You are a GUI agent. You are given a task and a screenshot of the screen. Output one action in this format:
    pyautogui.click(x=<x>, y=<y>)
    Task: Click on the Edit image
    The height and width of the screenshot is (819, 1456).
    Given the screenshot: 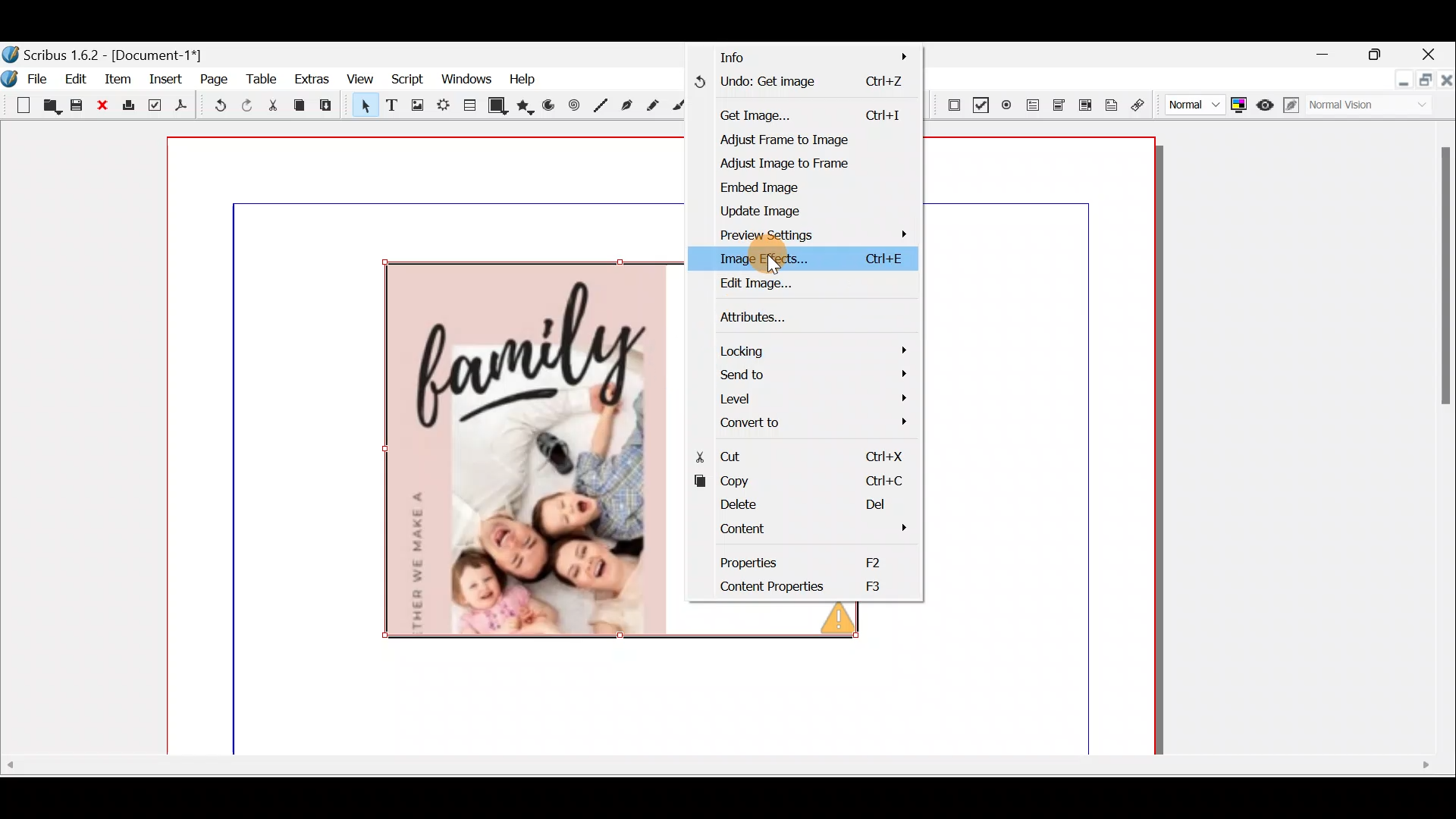 What is the action you would take?
    pyautogui.click(x=799, y=286)
    